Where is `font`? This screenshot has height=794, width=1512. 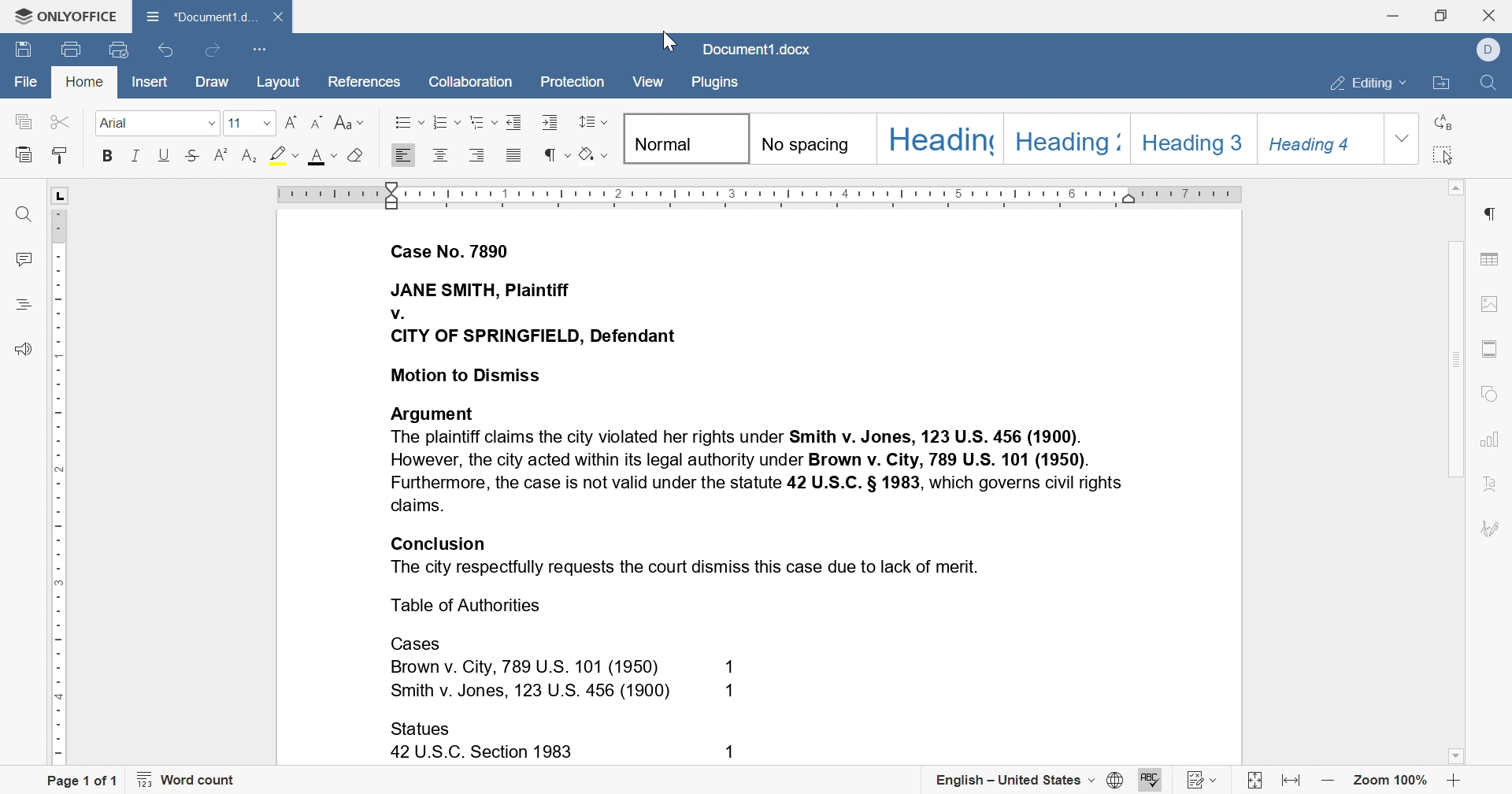 font is located at coordinates (158, 124).